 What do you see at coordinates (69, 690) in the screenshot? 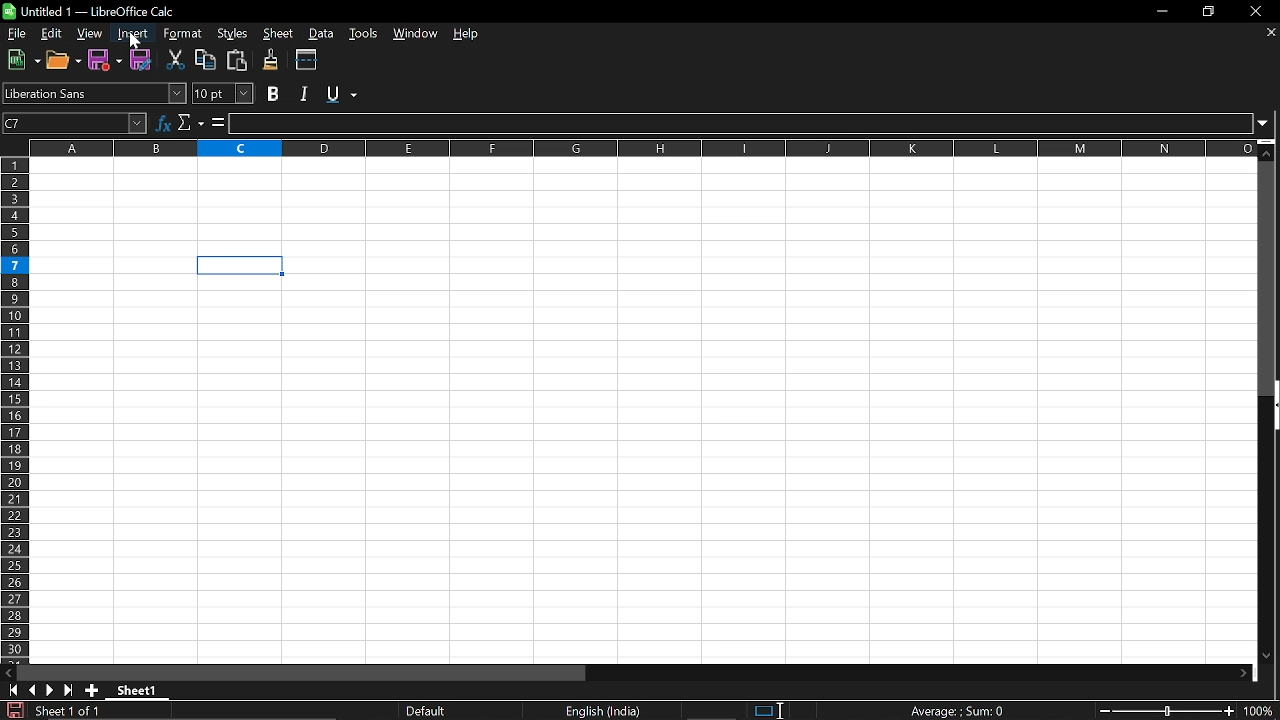
I see `Last sheet` at bounding box center [69, 690].